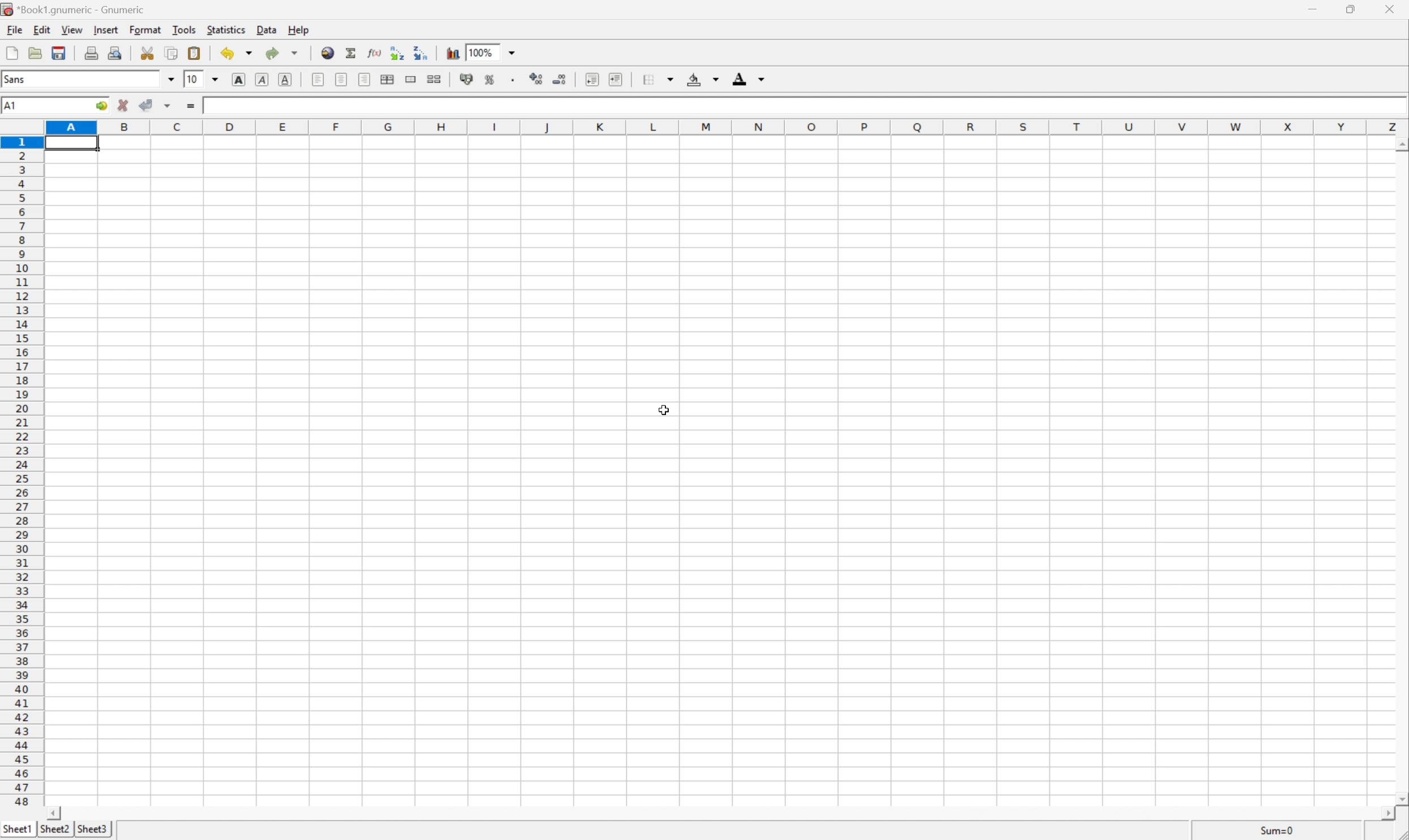 This screenshot has width=1409, height=840. I want to click on Enter formula, so click(190, 107).